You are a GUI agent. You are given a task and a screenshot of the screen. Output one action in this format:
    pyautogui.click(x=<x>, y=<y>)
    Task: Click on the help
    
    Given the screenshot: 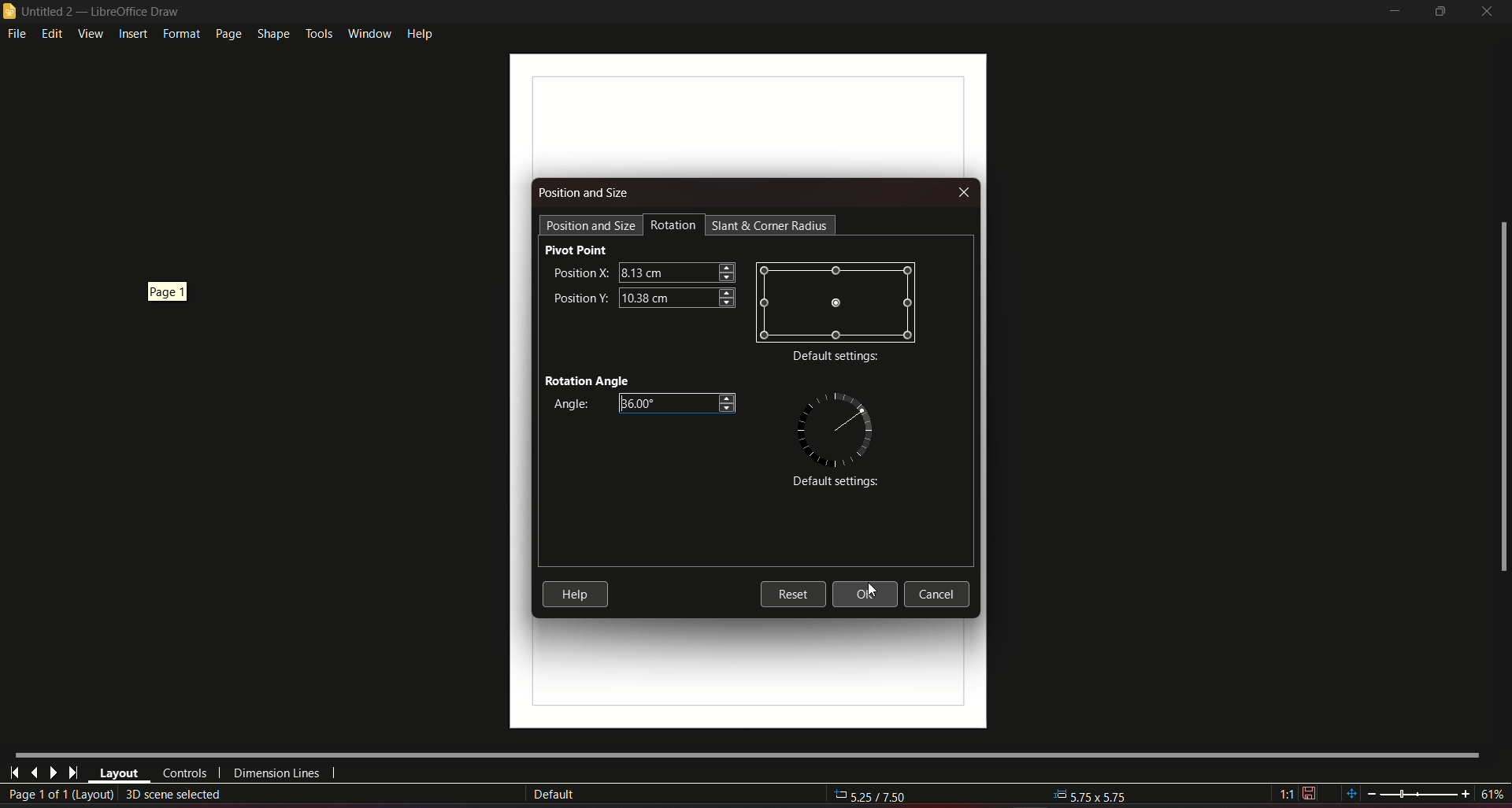 What is the action you would take?
    pyautogui.click(x=421, y=32)
    